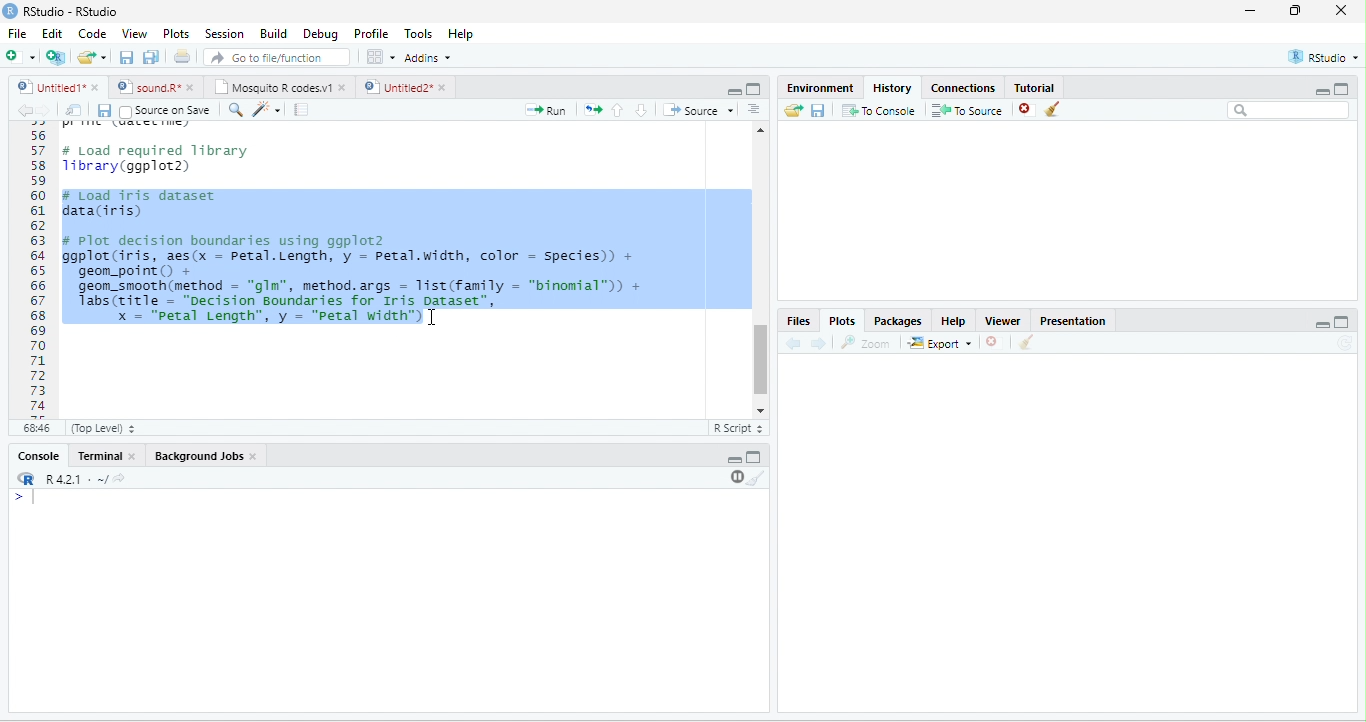 Image resolution: width=1366 pixels, height=722 pixels. Describe the element at coordinates (641, 110) in the screenshot. I see `down` at that location.